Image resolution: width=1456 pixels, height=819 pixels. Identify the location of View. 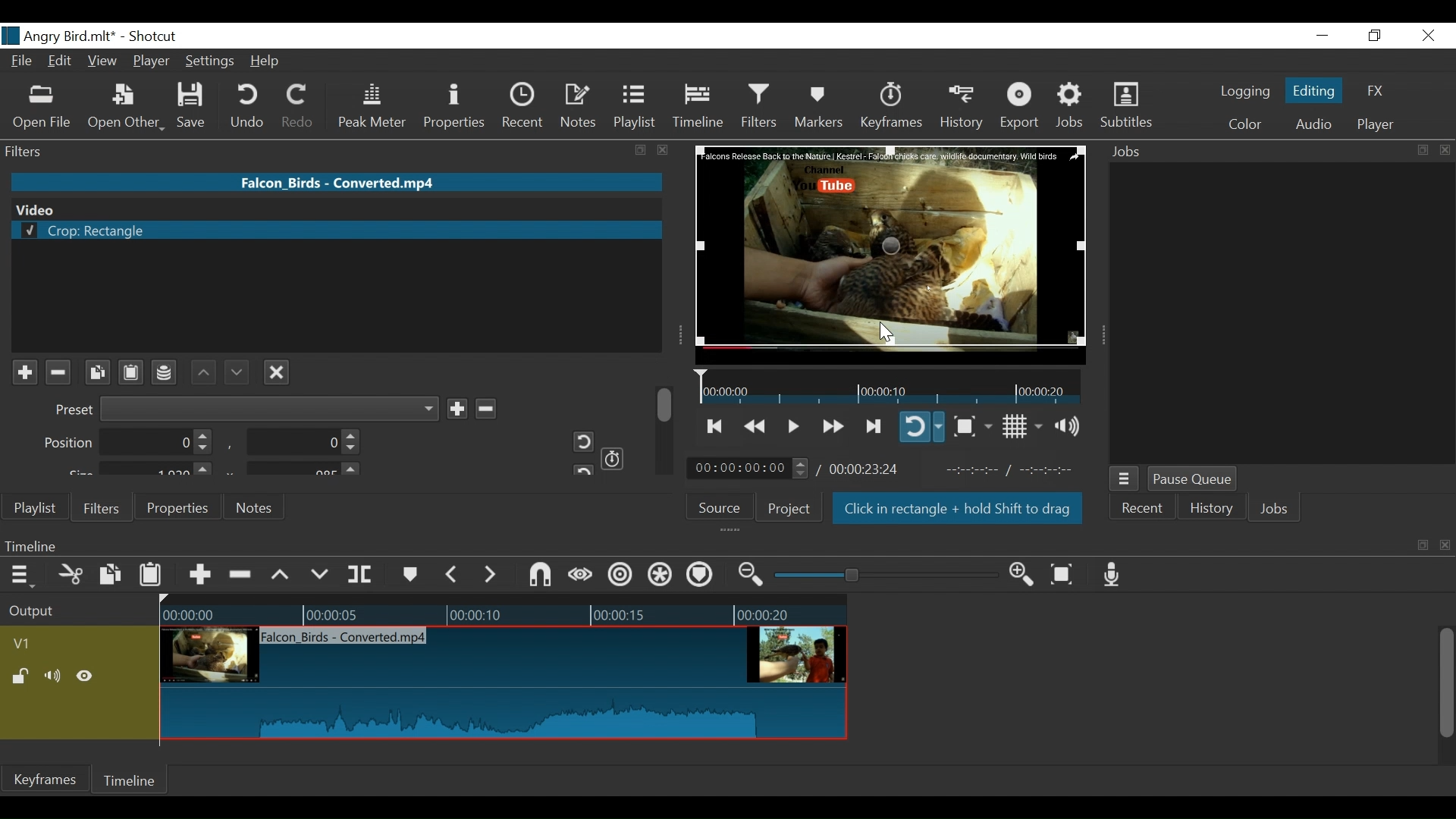
(102, 62).